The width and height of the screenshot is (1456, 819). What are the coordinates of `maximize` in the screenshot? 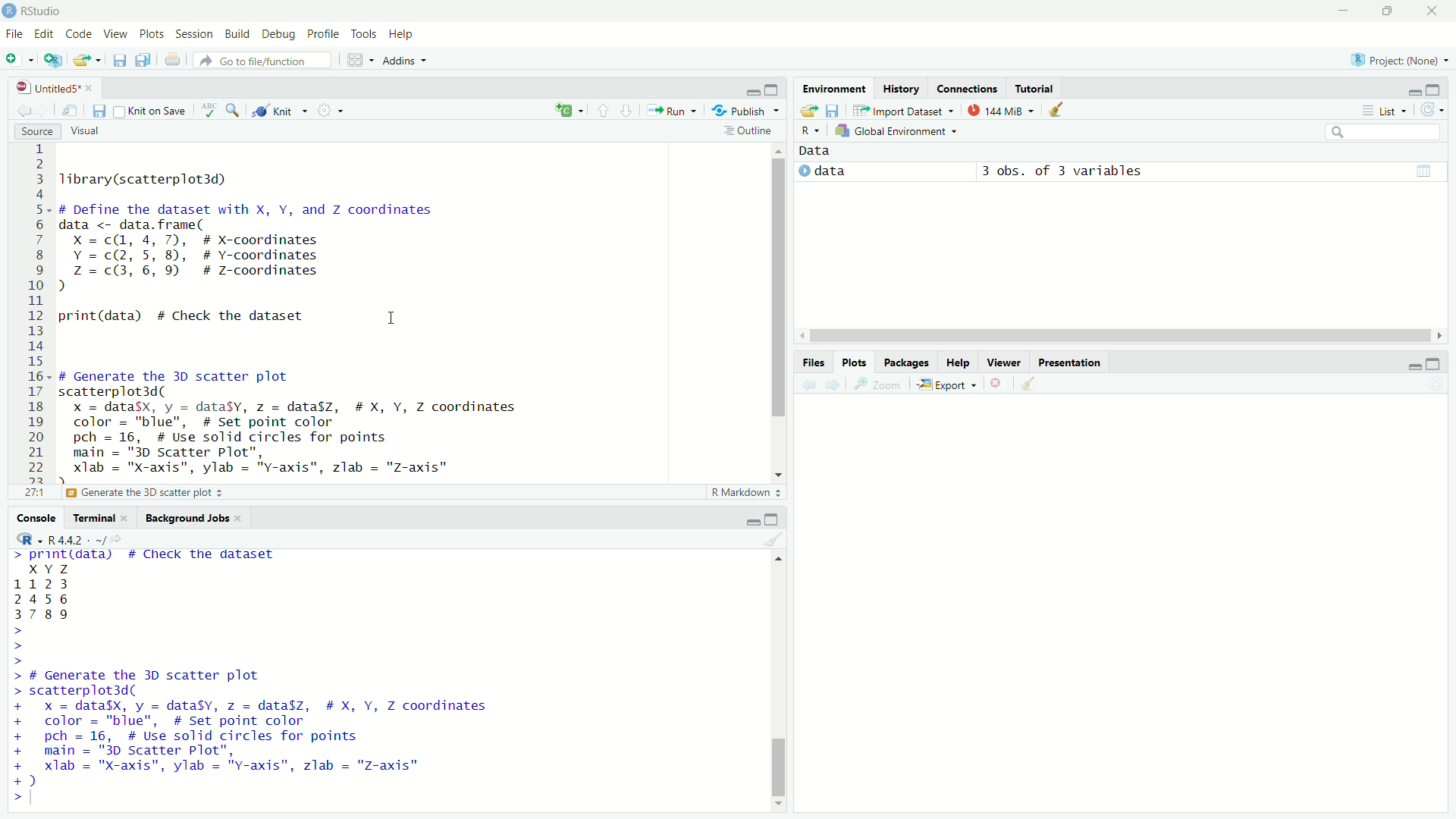 It's located at (775, 517).